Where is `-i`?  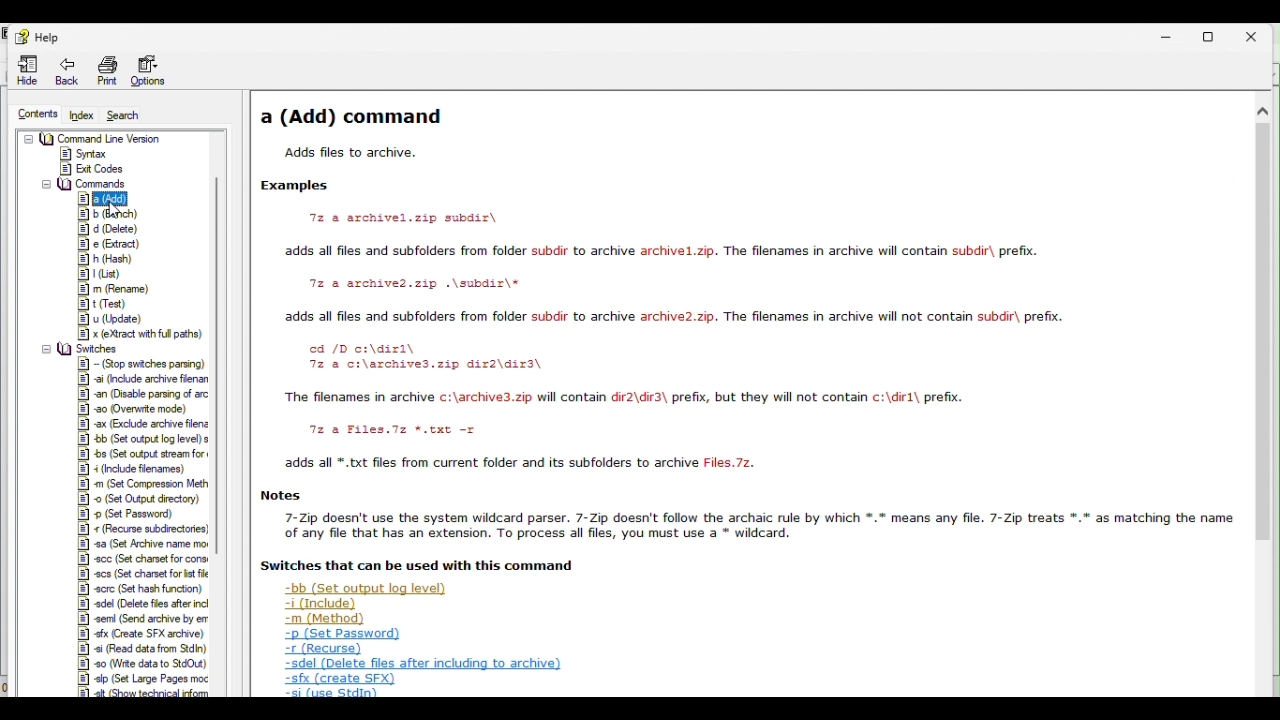
-i is located at coordinates (140, 469).